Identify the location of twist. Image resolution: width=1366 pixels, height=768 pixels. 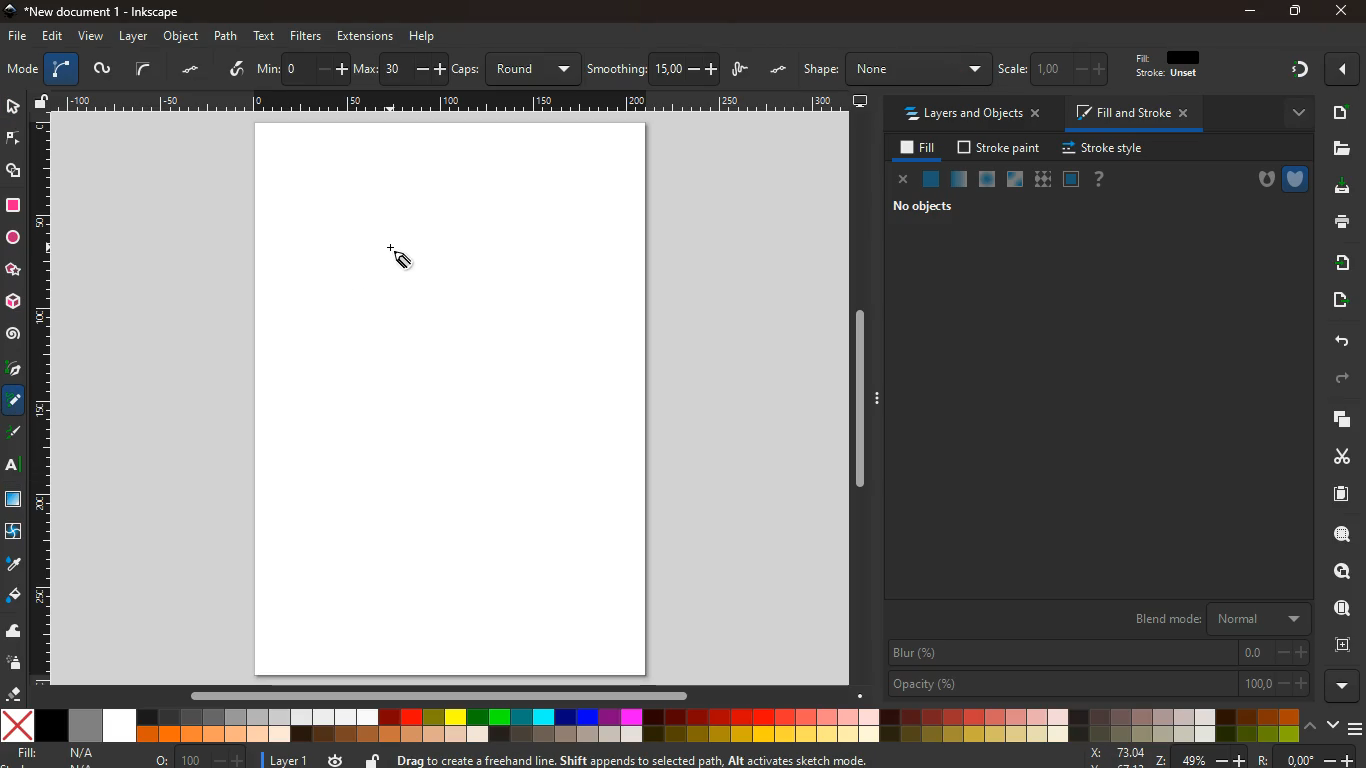
(12, 534).